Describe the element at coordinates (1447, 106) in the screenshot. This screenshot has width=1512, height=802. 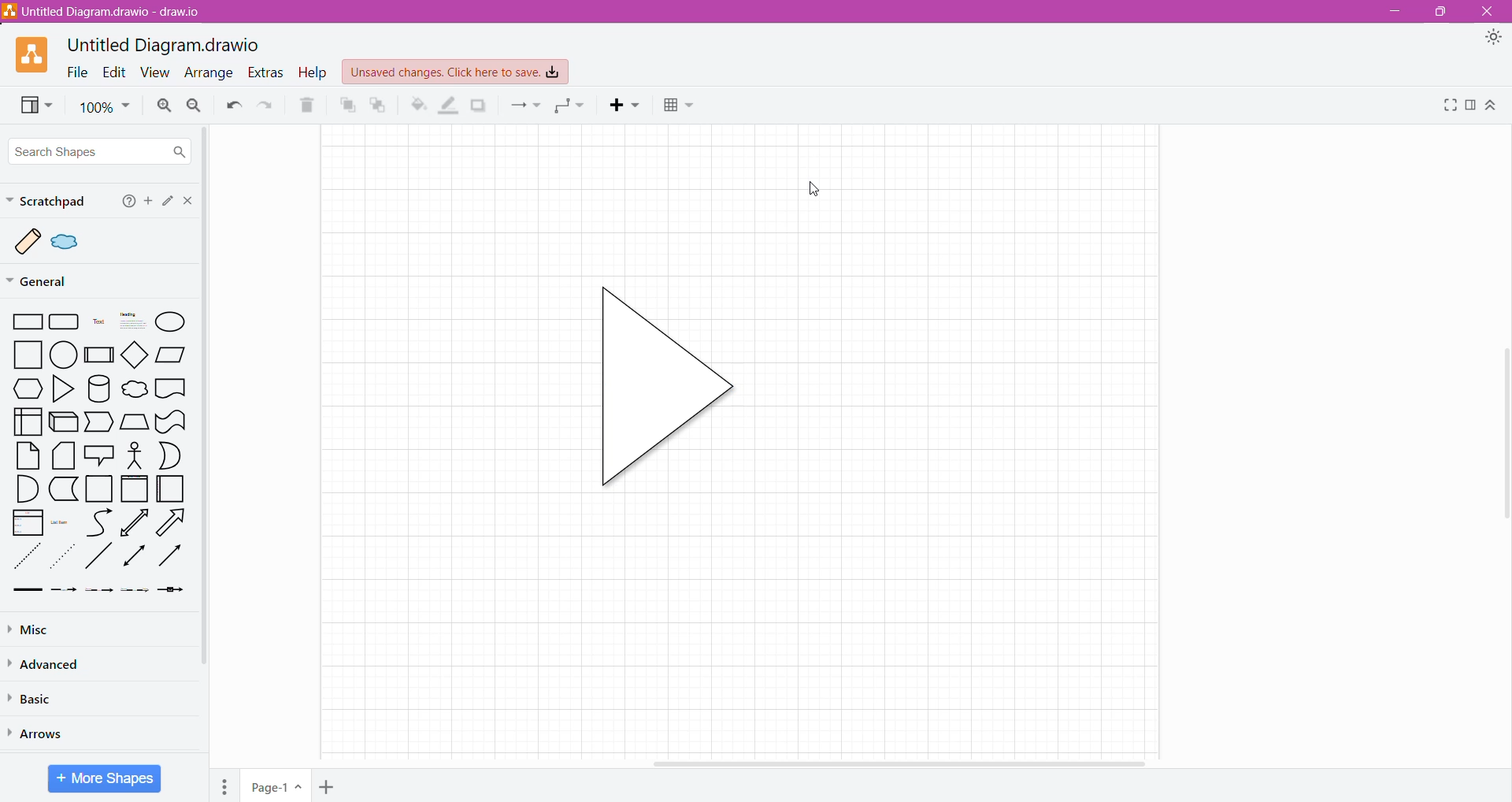
I see `Full Screen` at that location.